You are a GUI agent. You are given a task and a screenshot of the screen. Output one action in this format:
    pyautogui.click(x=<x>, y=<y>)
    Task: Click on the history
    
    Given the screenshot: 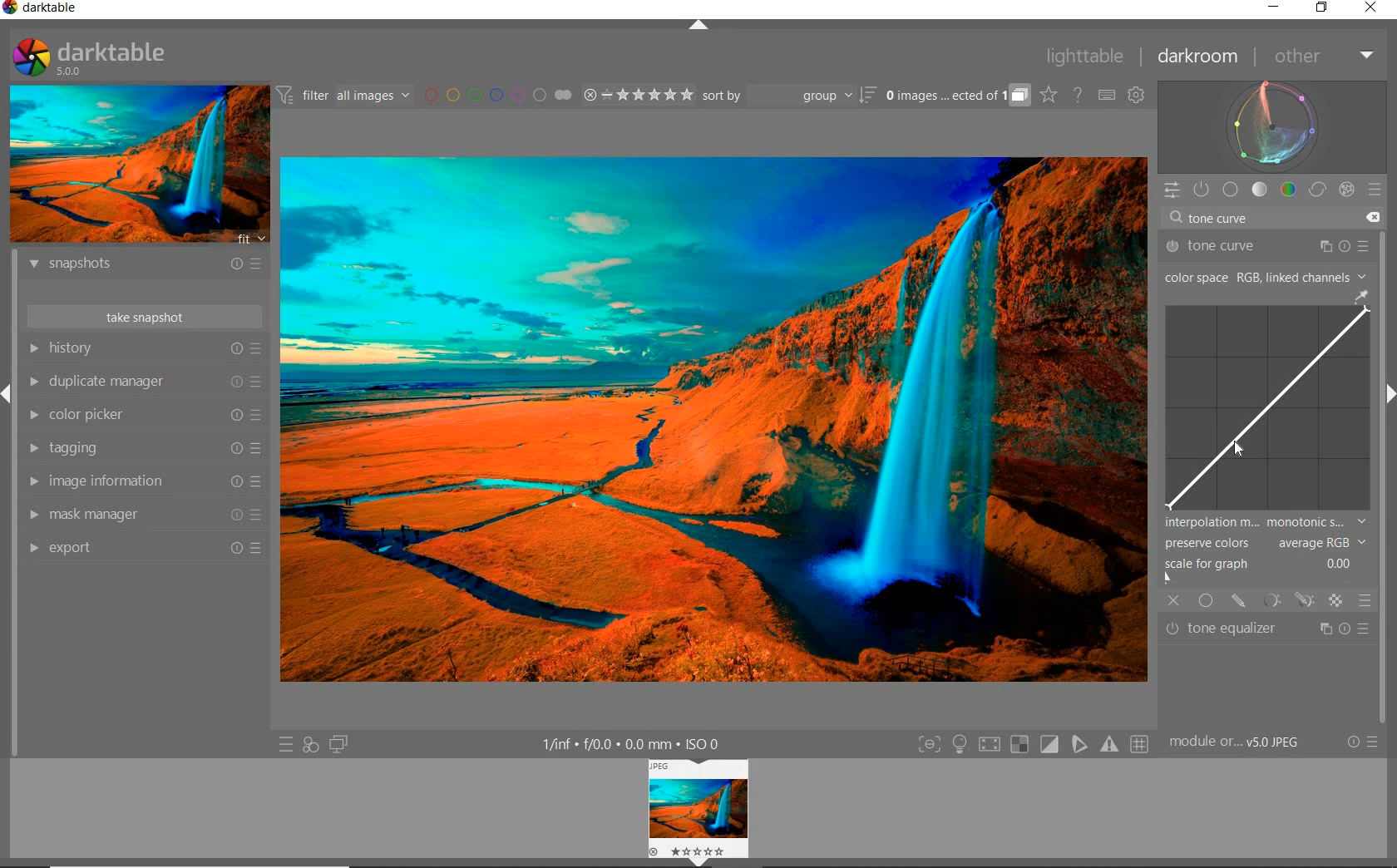 What is the action you would take?
    pyautogui.click(x=144, y=348)
    